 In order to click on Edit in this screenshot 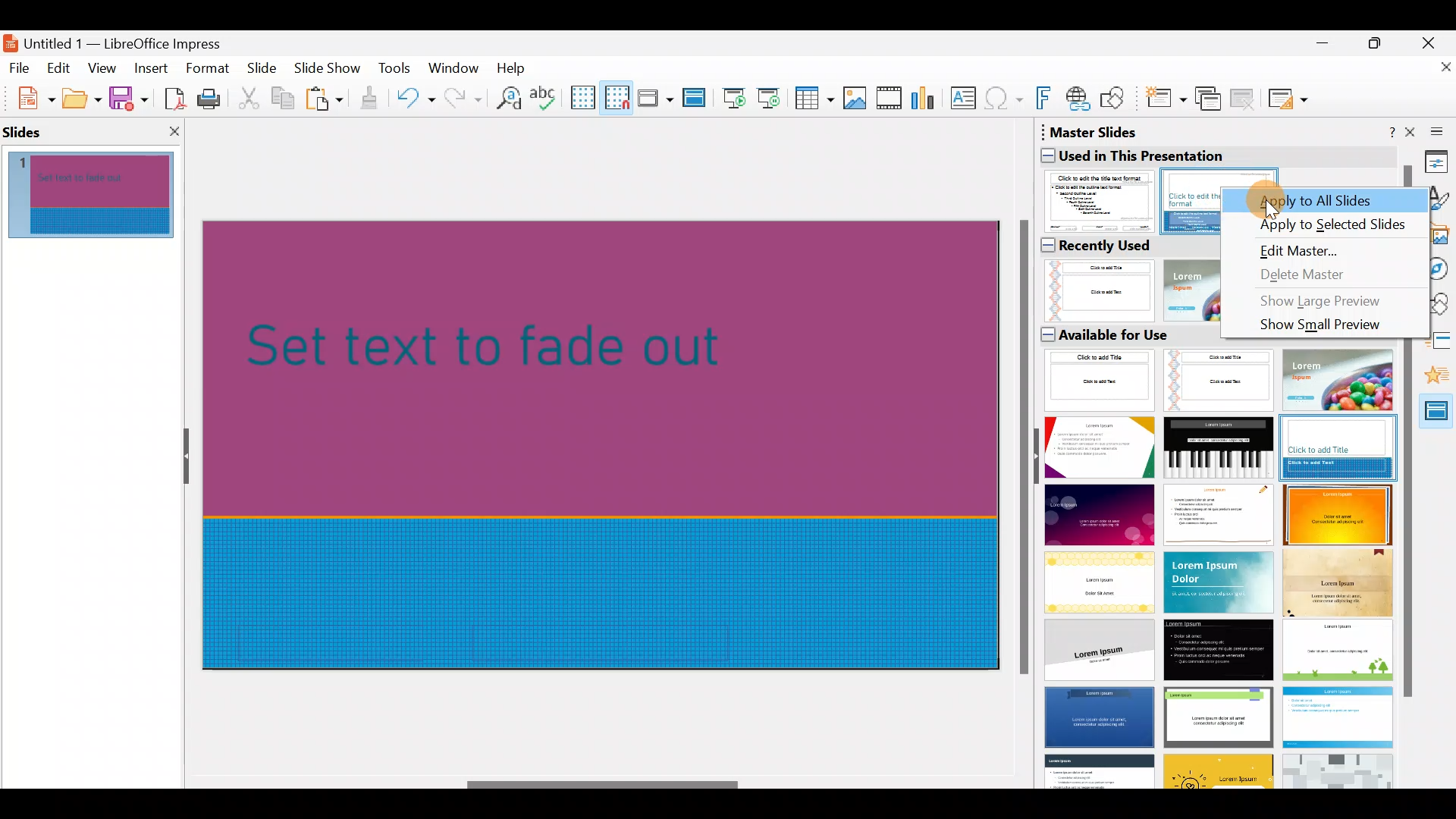, I will do `click(61, 68)`.